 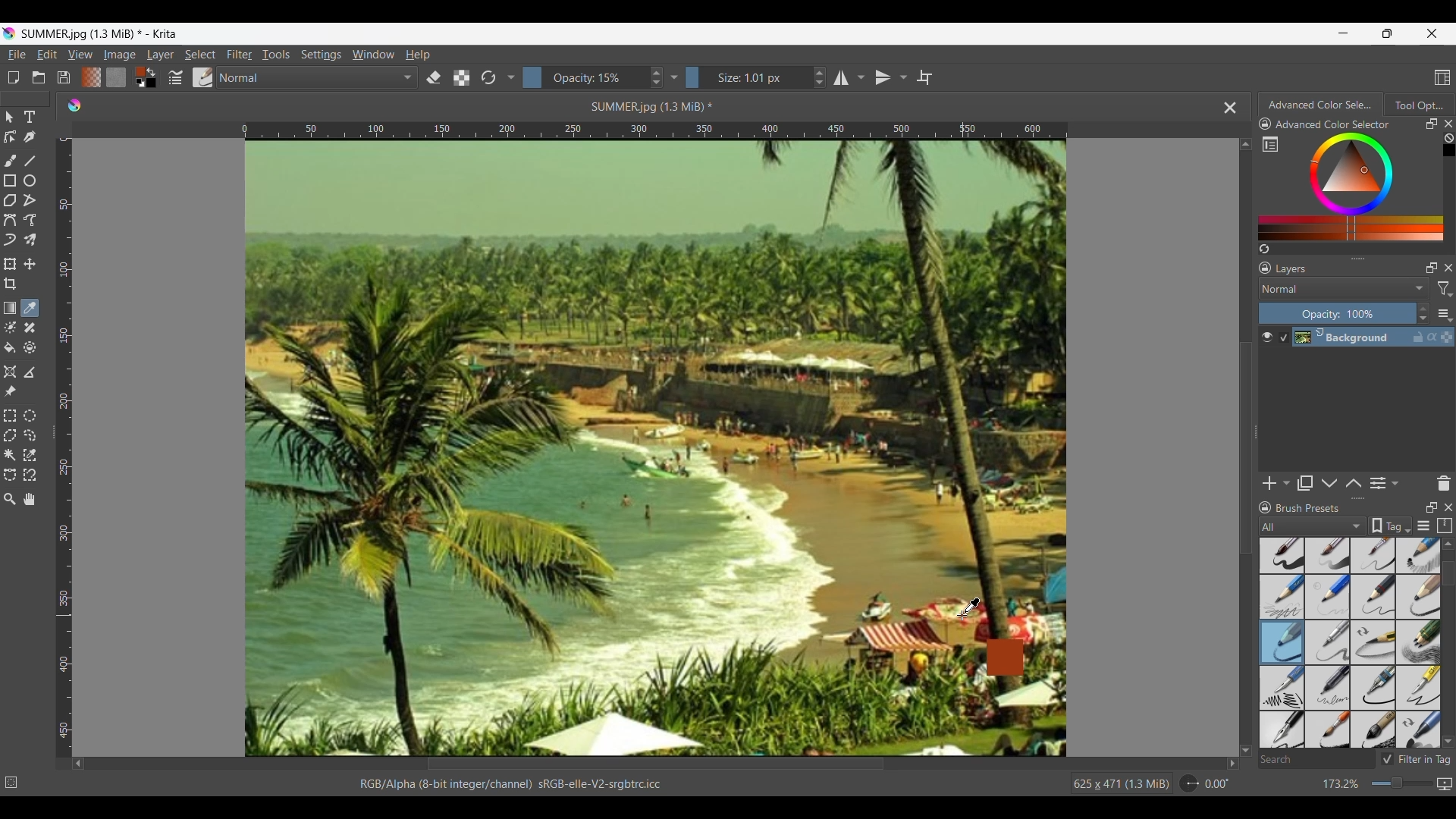 What do you see at coordinates (11, 328) in the screenshot?
I see `Colorize mask tool` at bounding box center [11, 328].